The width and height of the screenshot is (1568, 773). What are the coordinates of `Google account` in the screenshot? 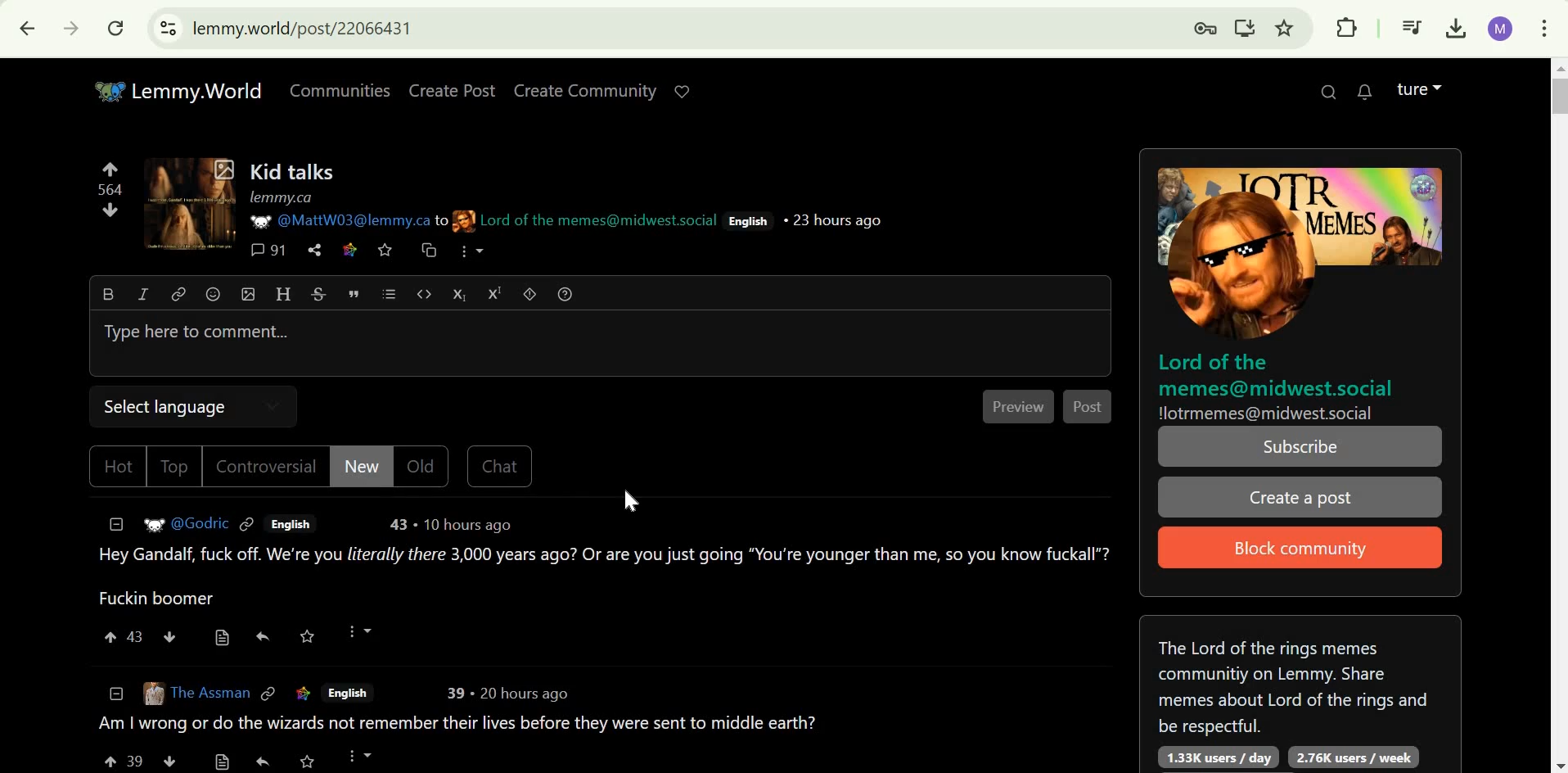 It's located at (1500, 29).